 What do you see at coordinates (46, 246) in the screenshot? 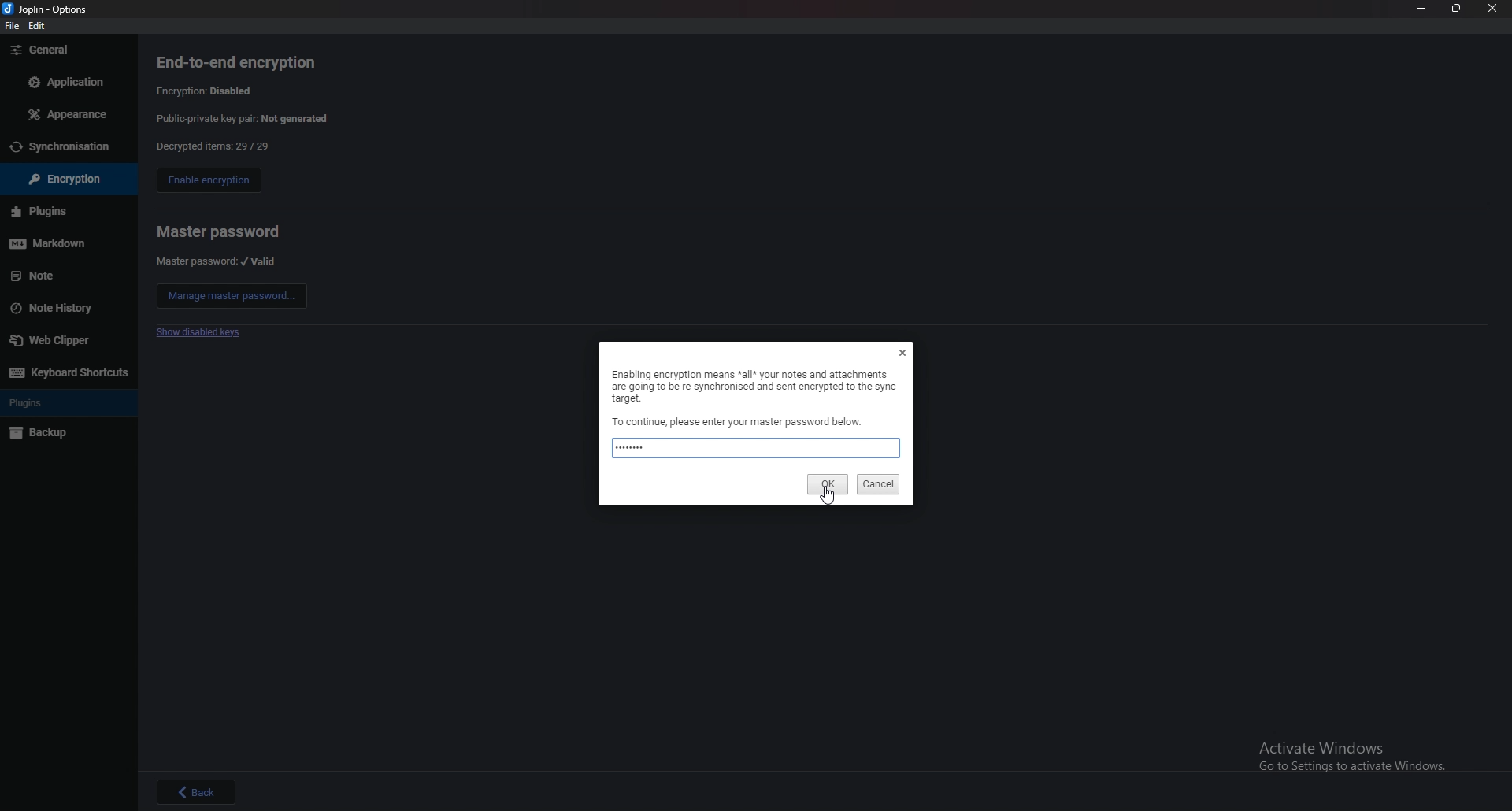
I see `` at bounding box center [46, 246].